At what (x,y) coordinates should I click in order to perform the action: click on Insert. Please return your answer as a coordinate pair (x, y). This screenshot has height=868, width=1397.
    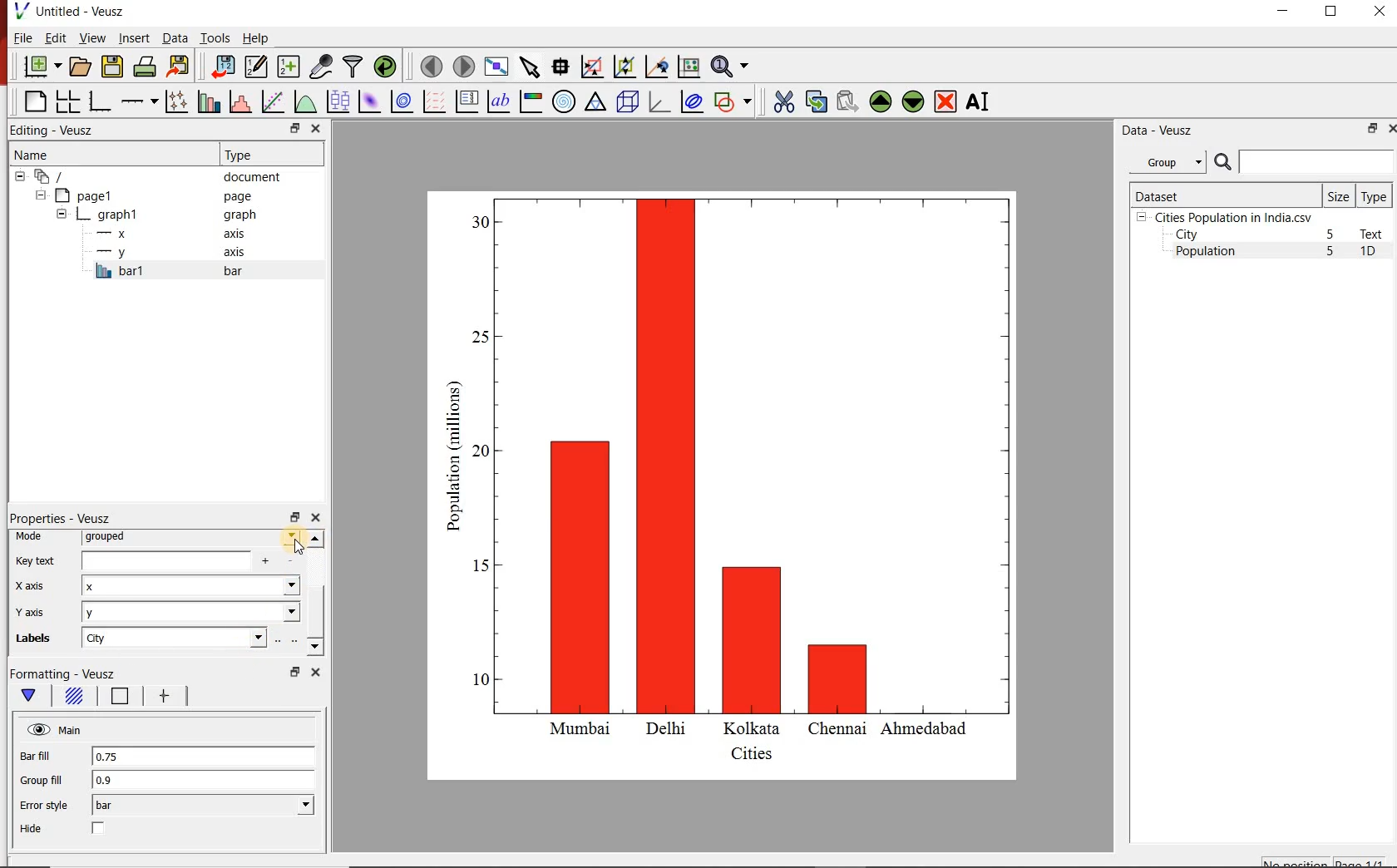
    Looking at the image, I should click on (133, 39).